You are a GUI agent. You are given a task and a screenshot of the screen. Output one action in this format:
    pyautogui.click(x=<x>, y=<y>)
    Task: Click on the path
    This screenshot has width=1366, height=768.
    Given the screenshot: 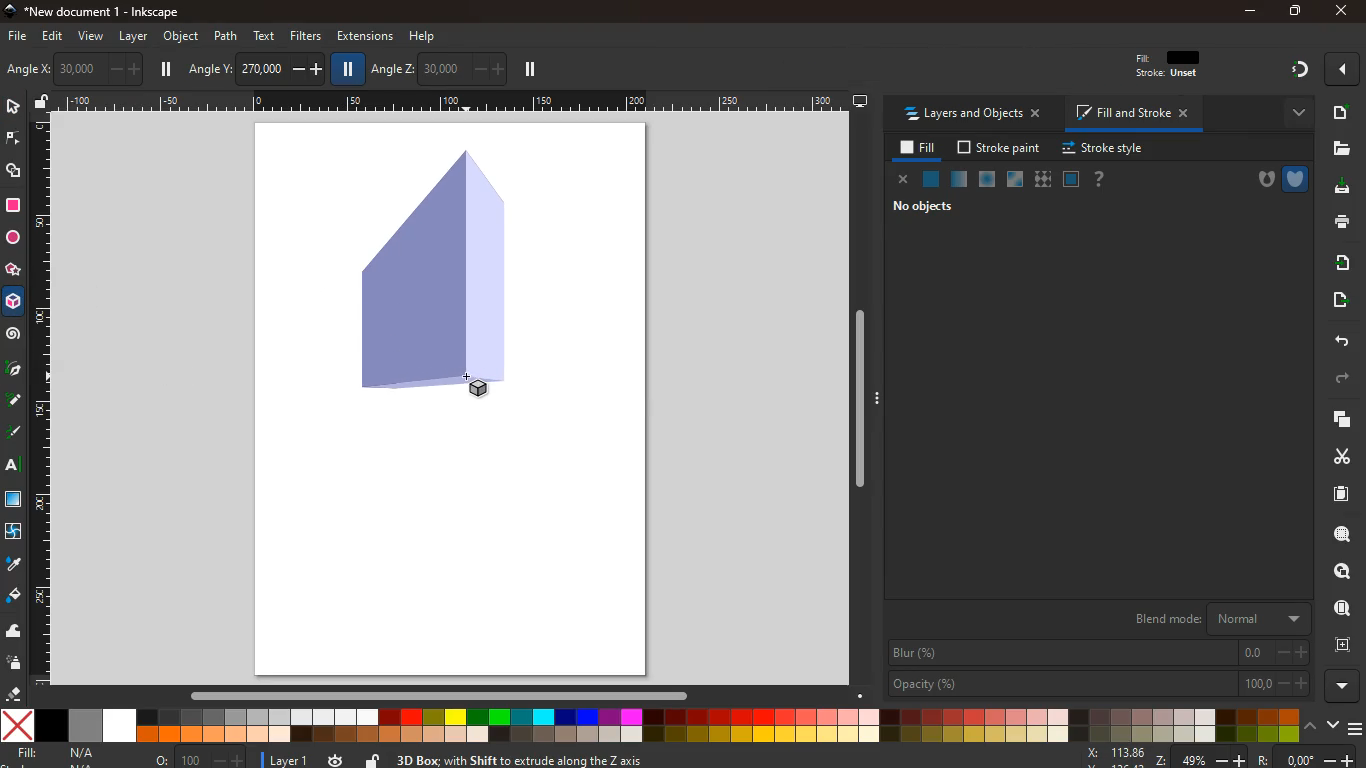 What is the action you would take?
    pyautogui.click(x=226, y=35)
    